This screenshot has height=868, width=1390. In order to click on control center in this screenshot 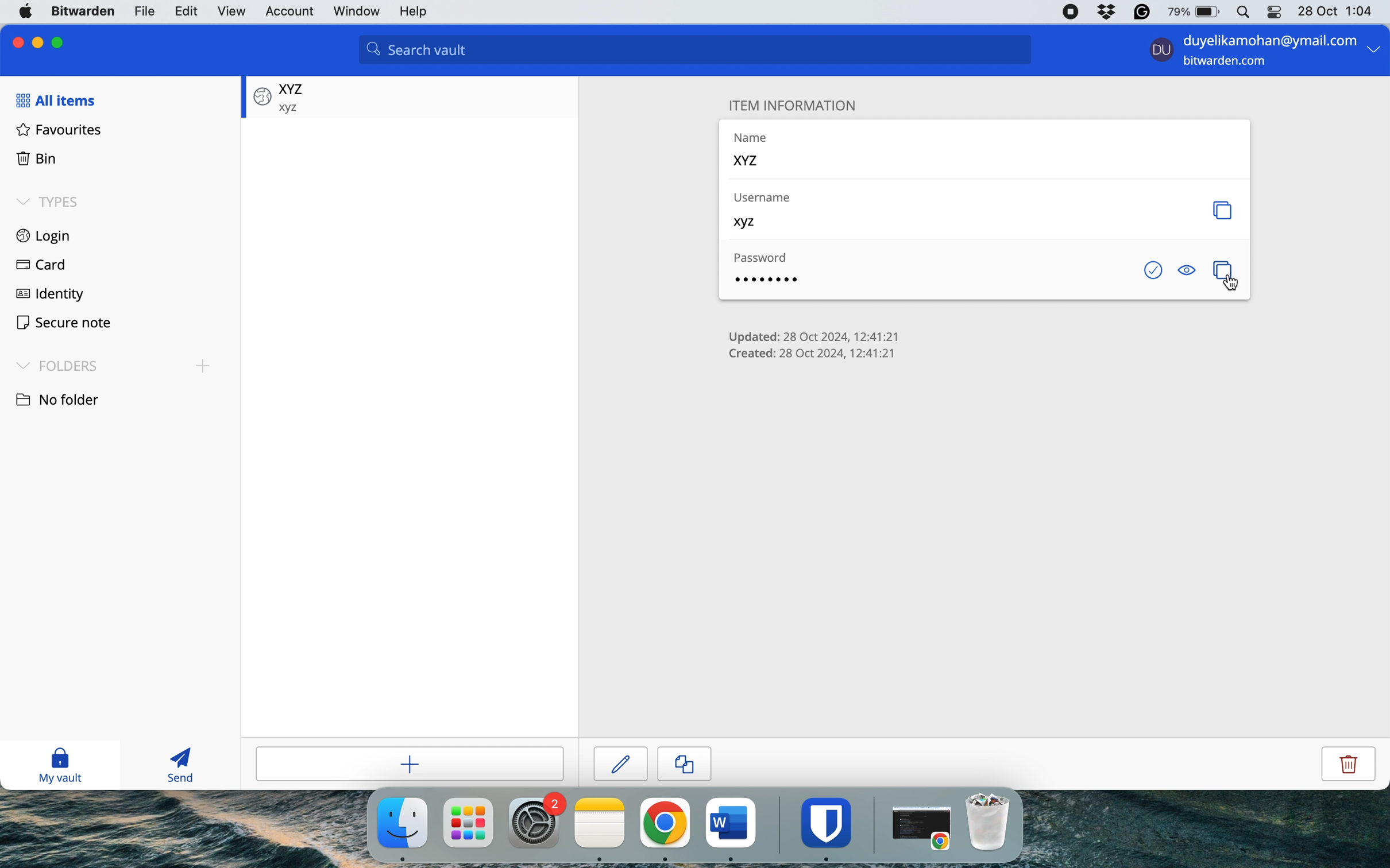, I will do `click(1272, 14)`.